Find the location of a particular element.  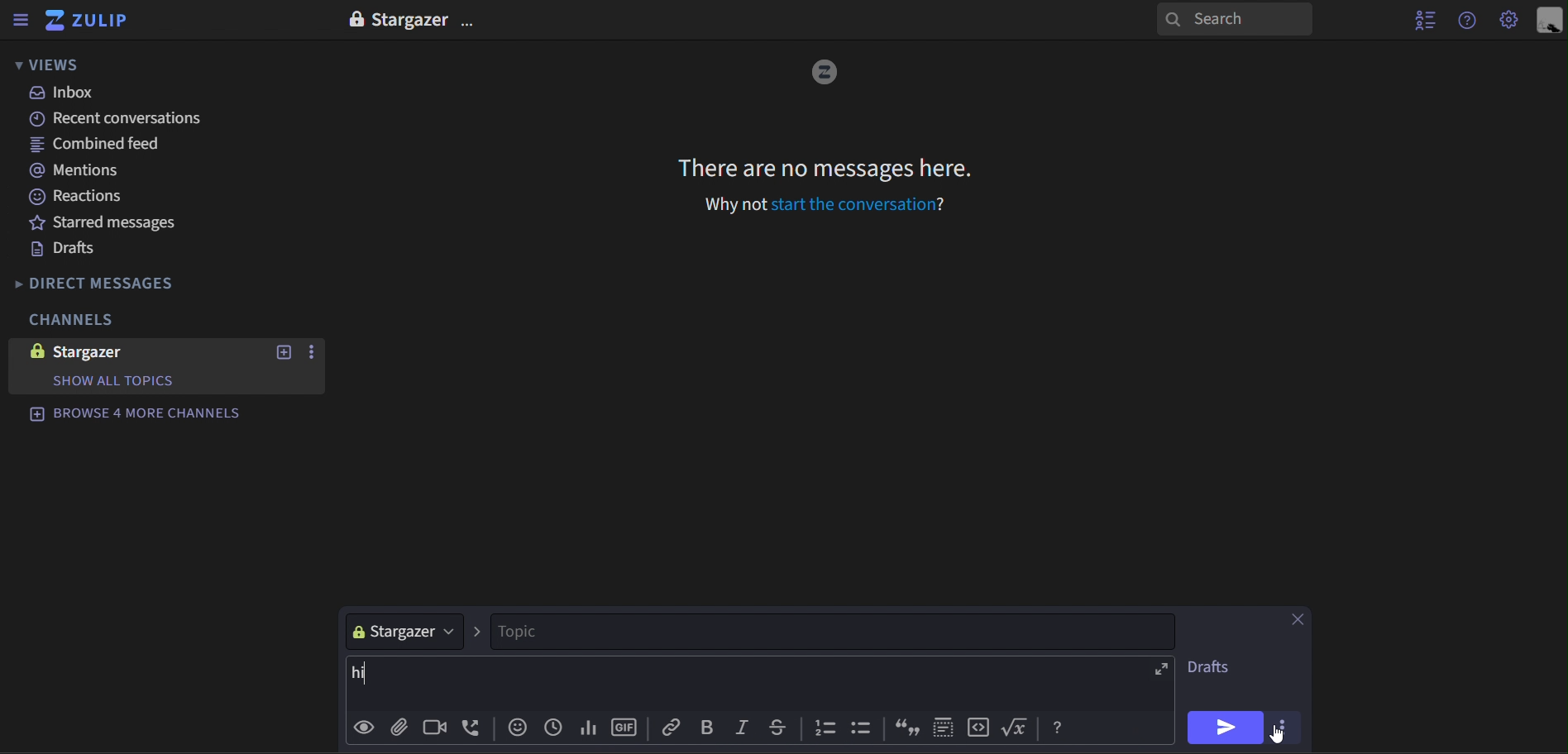

Stargazer is located at coordinates (414, 19).